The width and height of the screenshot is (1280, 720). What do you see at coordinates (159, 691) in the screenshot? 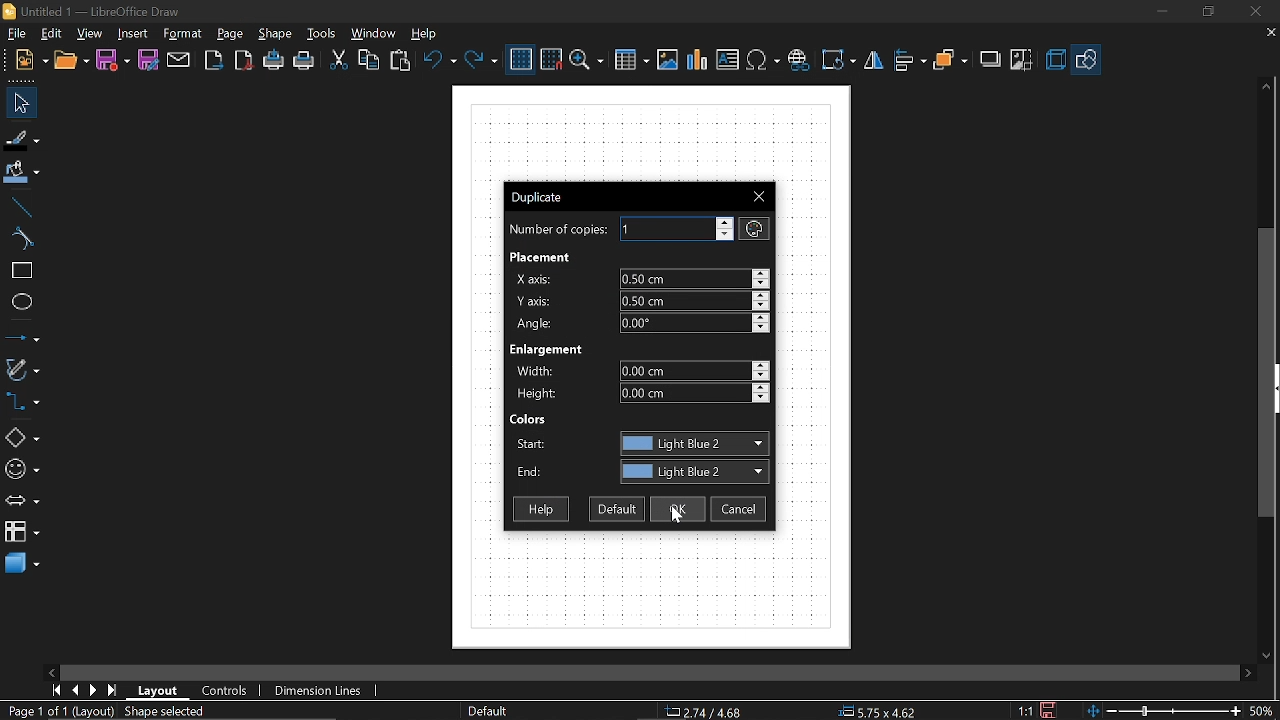
I see `Layout` at bounding box center [159, 691].